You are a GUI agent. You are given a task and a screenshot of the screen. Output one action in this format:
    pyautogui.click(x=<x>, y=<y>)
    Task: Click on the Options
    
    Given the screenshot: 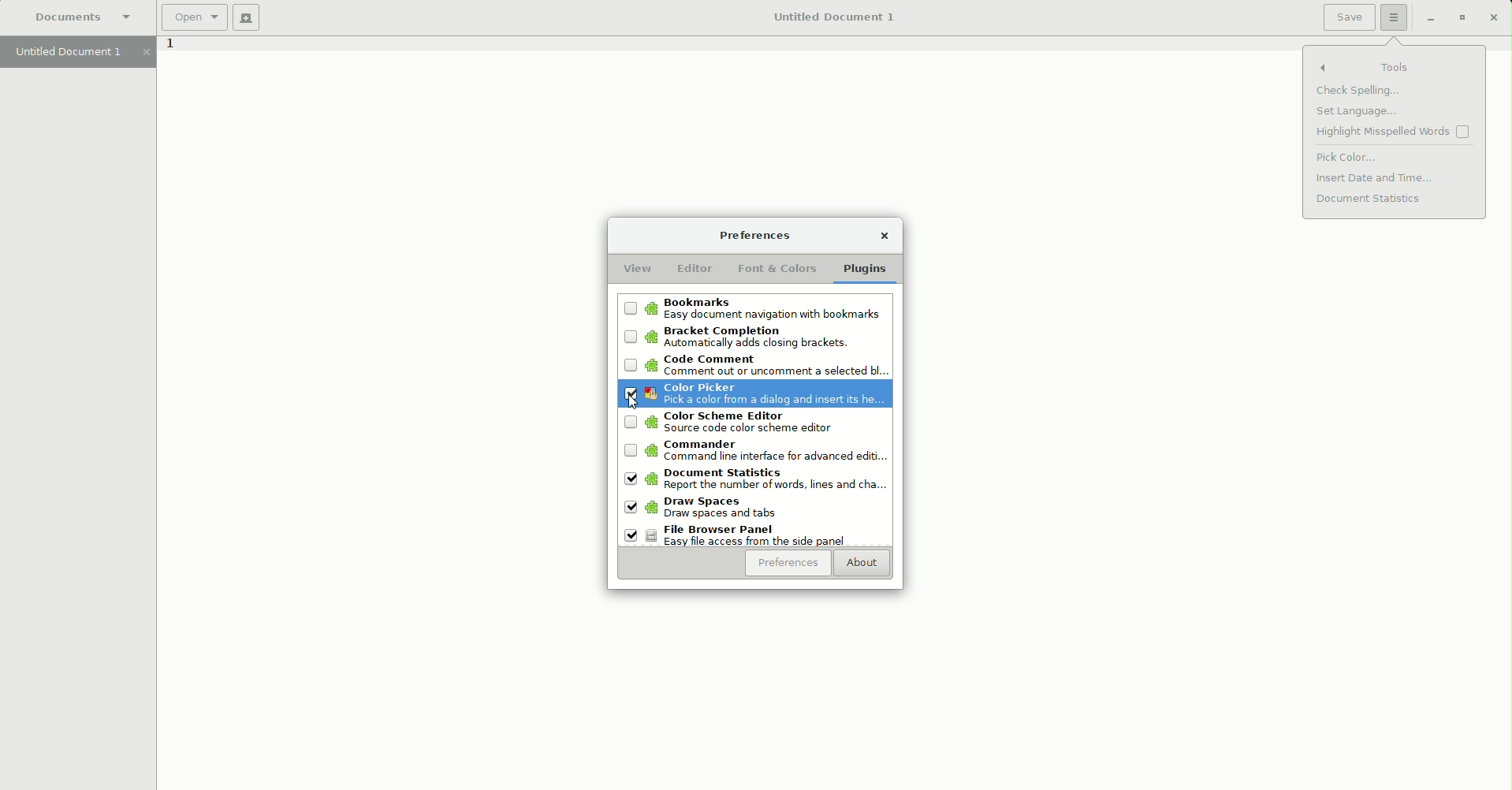 What is the action you would take?
    pyautogui.click(x=1395, y=18)
    